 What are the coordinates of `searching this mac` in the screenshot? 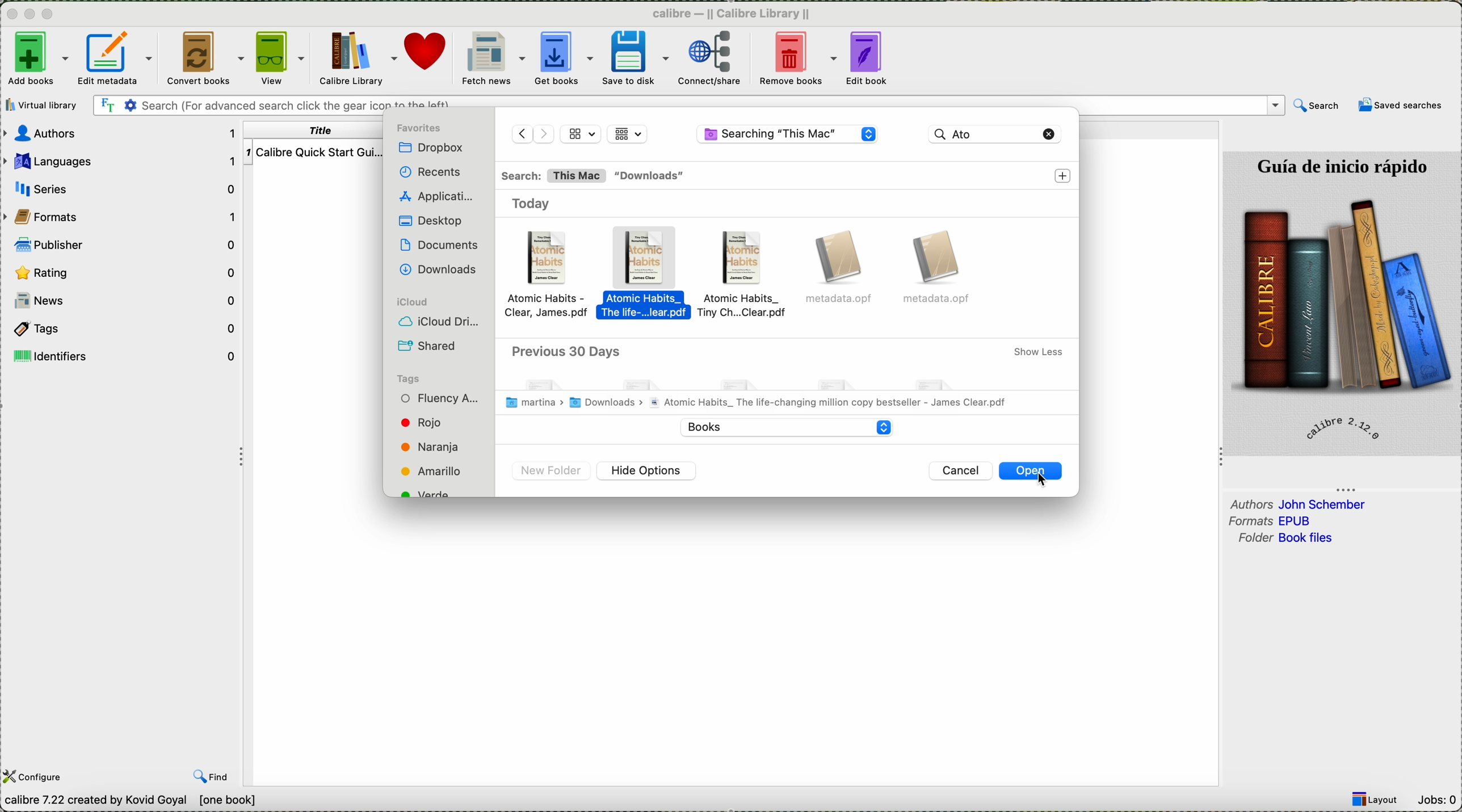 It's located at (788, 136).